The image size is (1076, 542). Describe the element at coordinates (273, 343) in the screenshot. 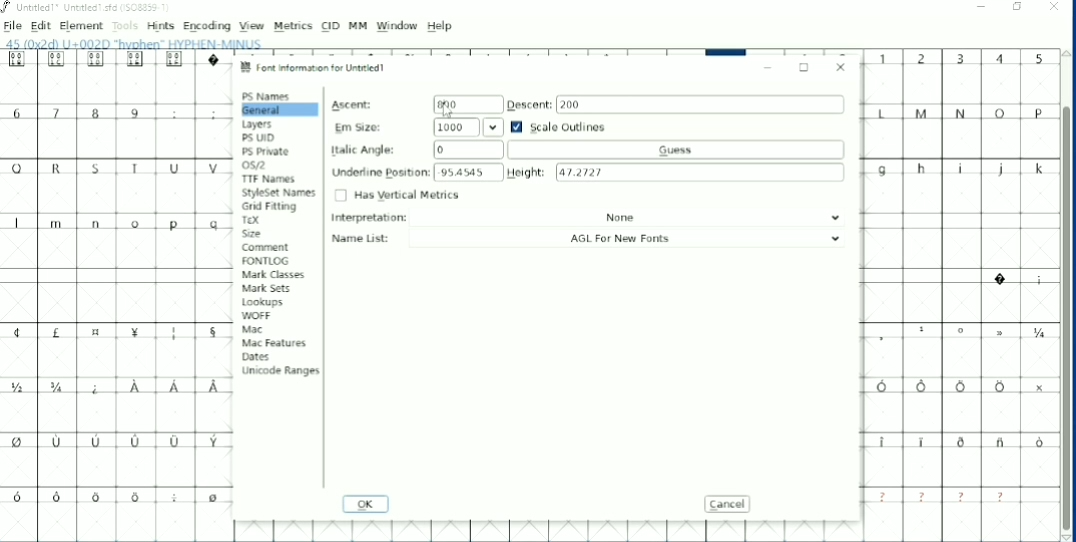

I see `Mac Features` at that location.